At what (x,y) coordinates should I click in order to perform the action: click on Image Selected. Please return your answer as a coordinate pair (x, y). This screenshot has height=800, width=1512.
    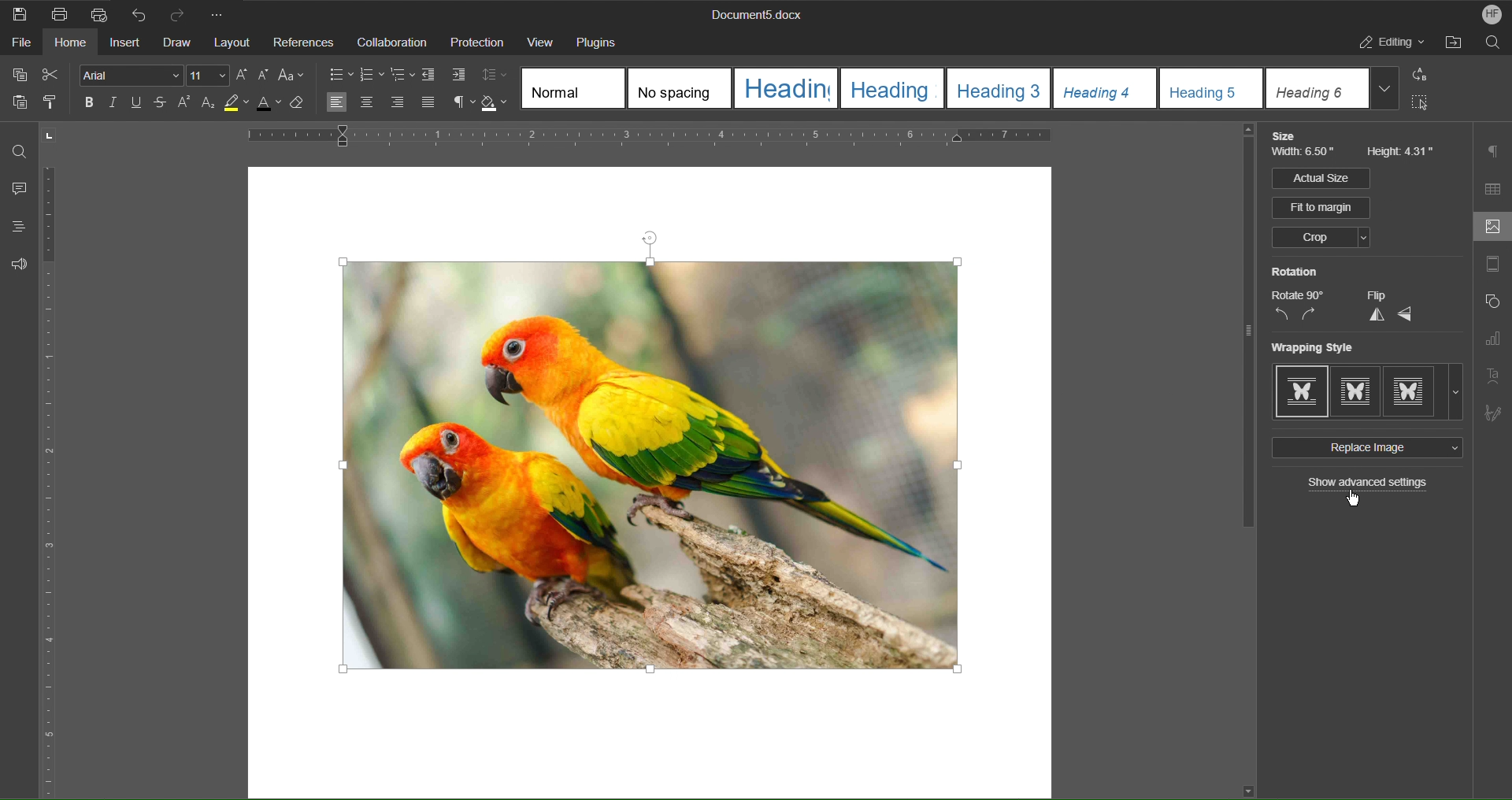
    Looking at the image, I should click on (711, 456).